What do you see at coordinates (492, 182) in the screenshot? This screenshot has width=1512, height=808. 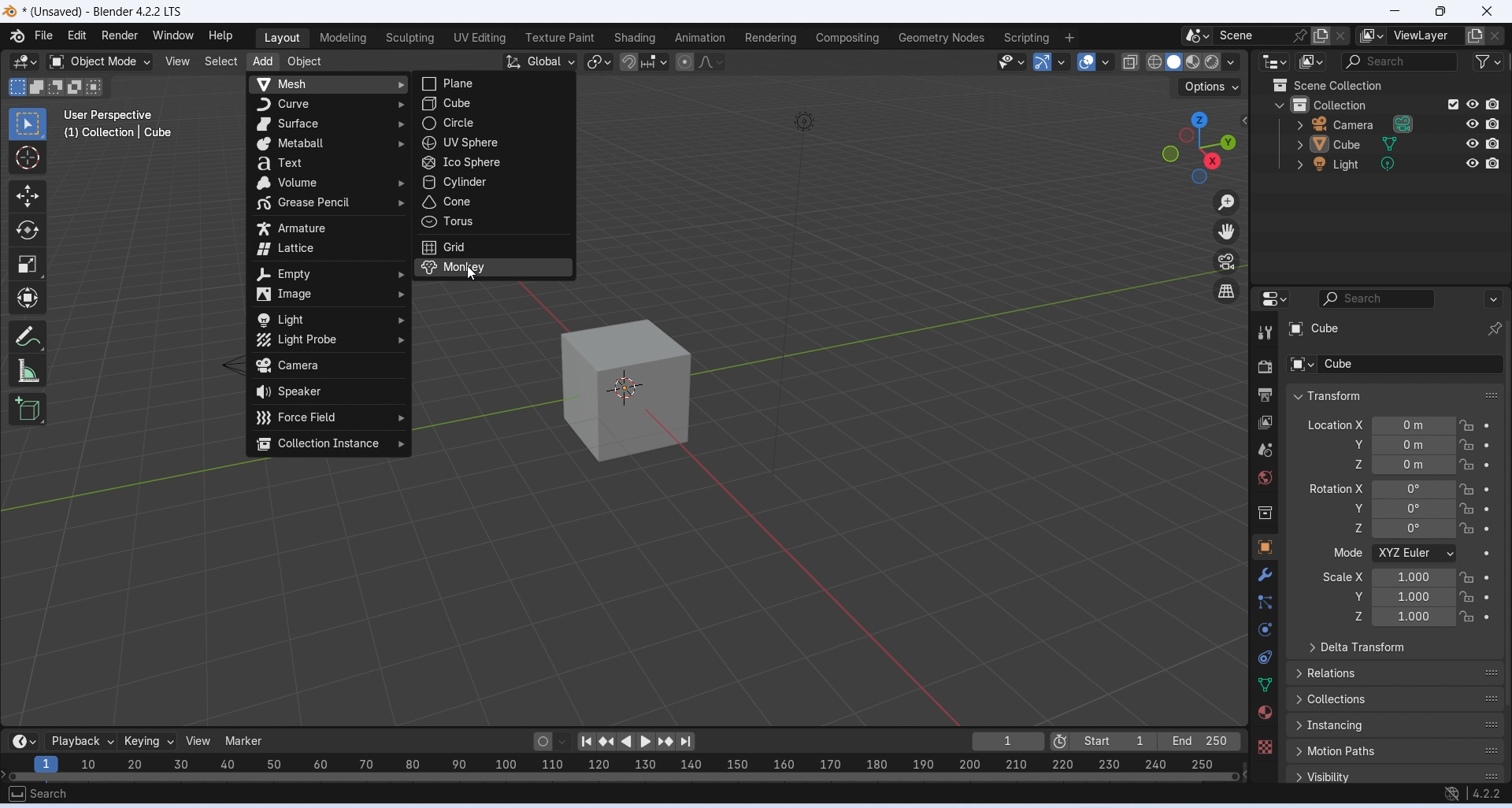 I see `cylinder` at bounding box center [492, 182].